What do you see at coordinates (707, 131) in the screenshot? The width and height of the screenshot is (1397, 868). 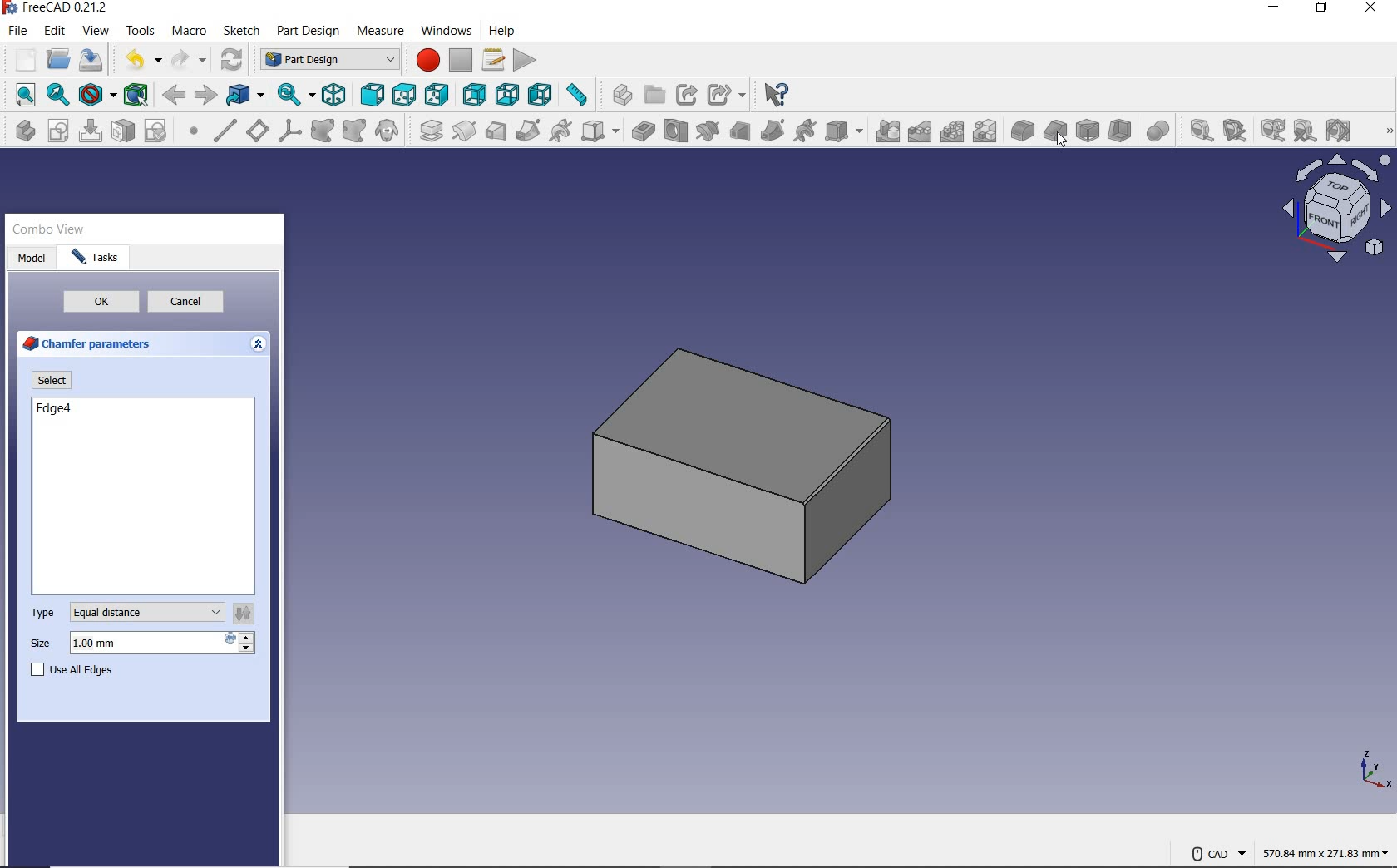 I see `groove` at bounding box center [707, 131].